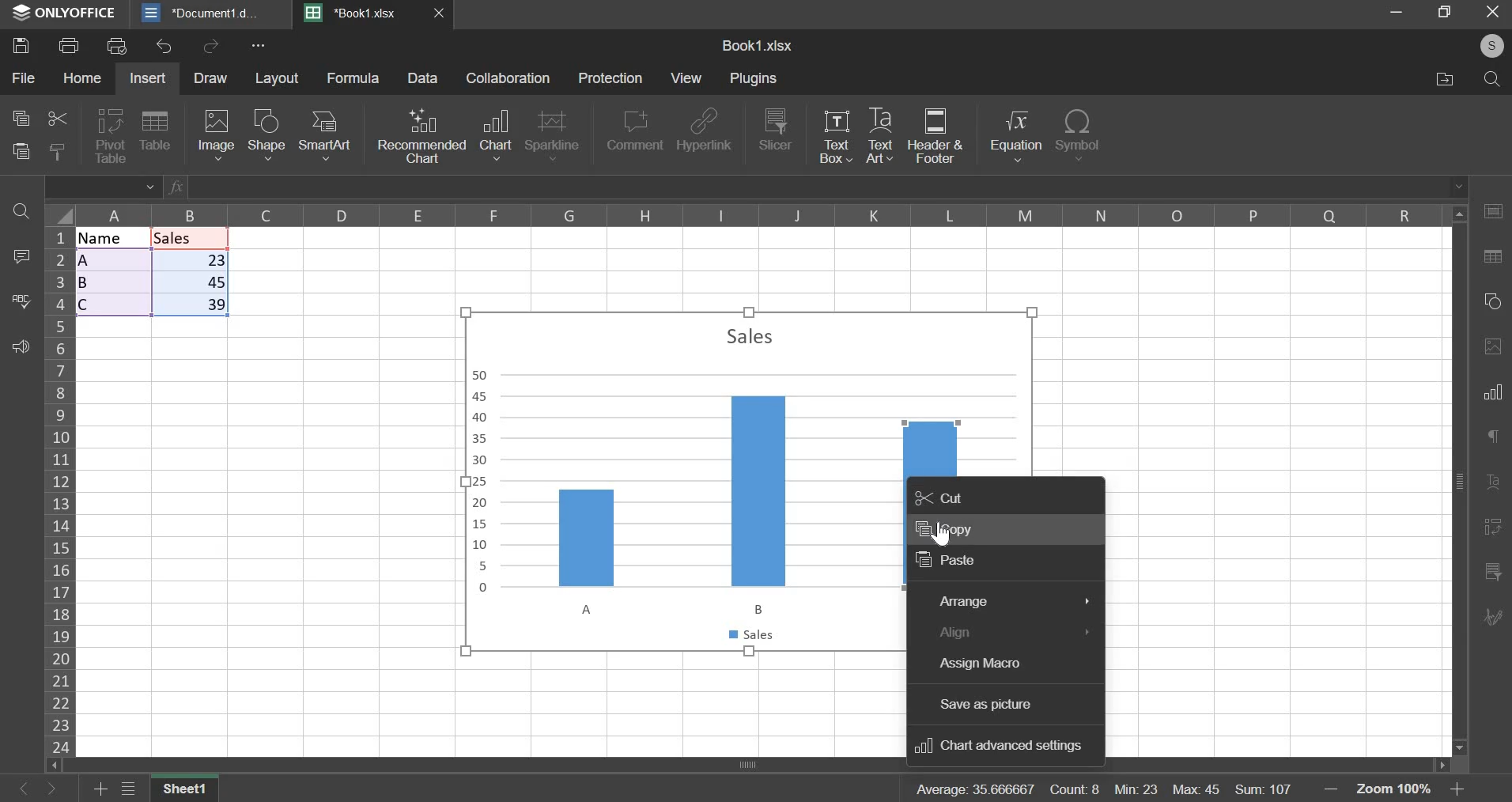 This screenshot has width=1512, height=802. What do you see at coordinates (421, 135) in the screenshot?
I see `recommended chart` at bounding box center [421, 135].